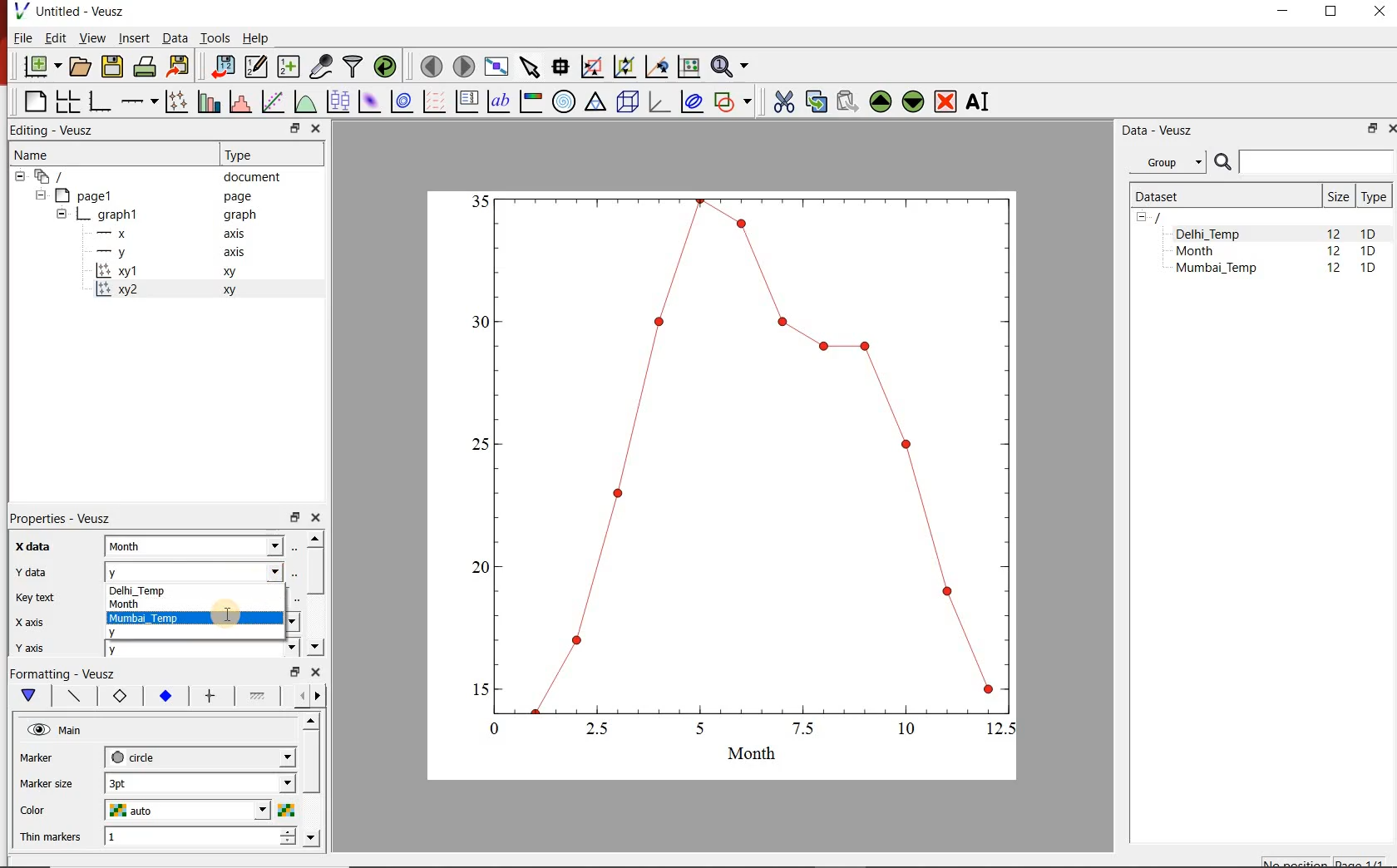 The image size is (1397, 868). What do you see at coordinates (150, 619) in the screenshot?
I see `Mumbai_Temp` at bounding box center [150, 619].